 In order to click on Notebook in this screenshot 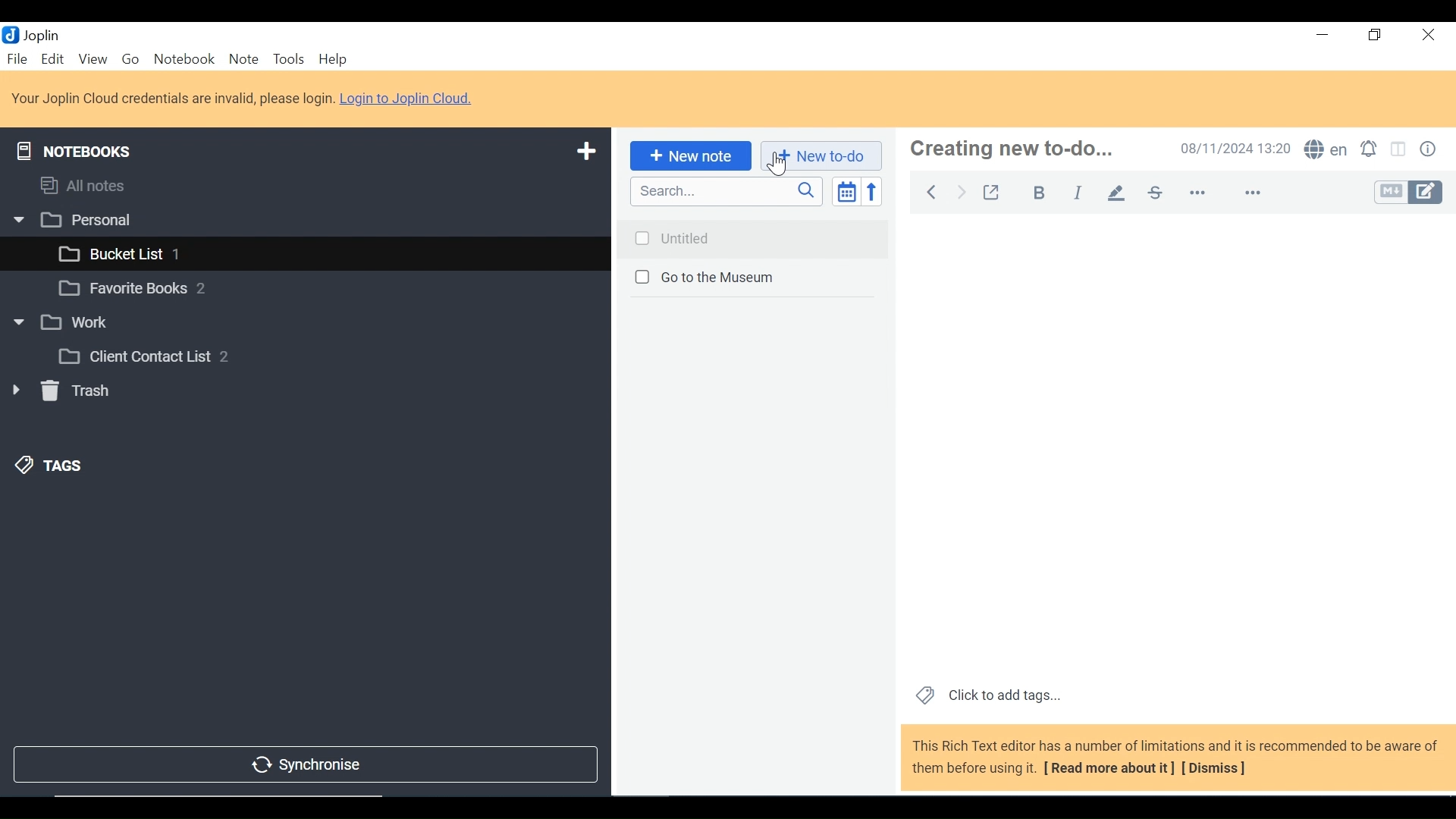, I will do `click(328, 356)`.